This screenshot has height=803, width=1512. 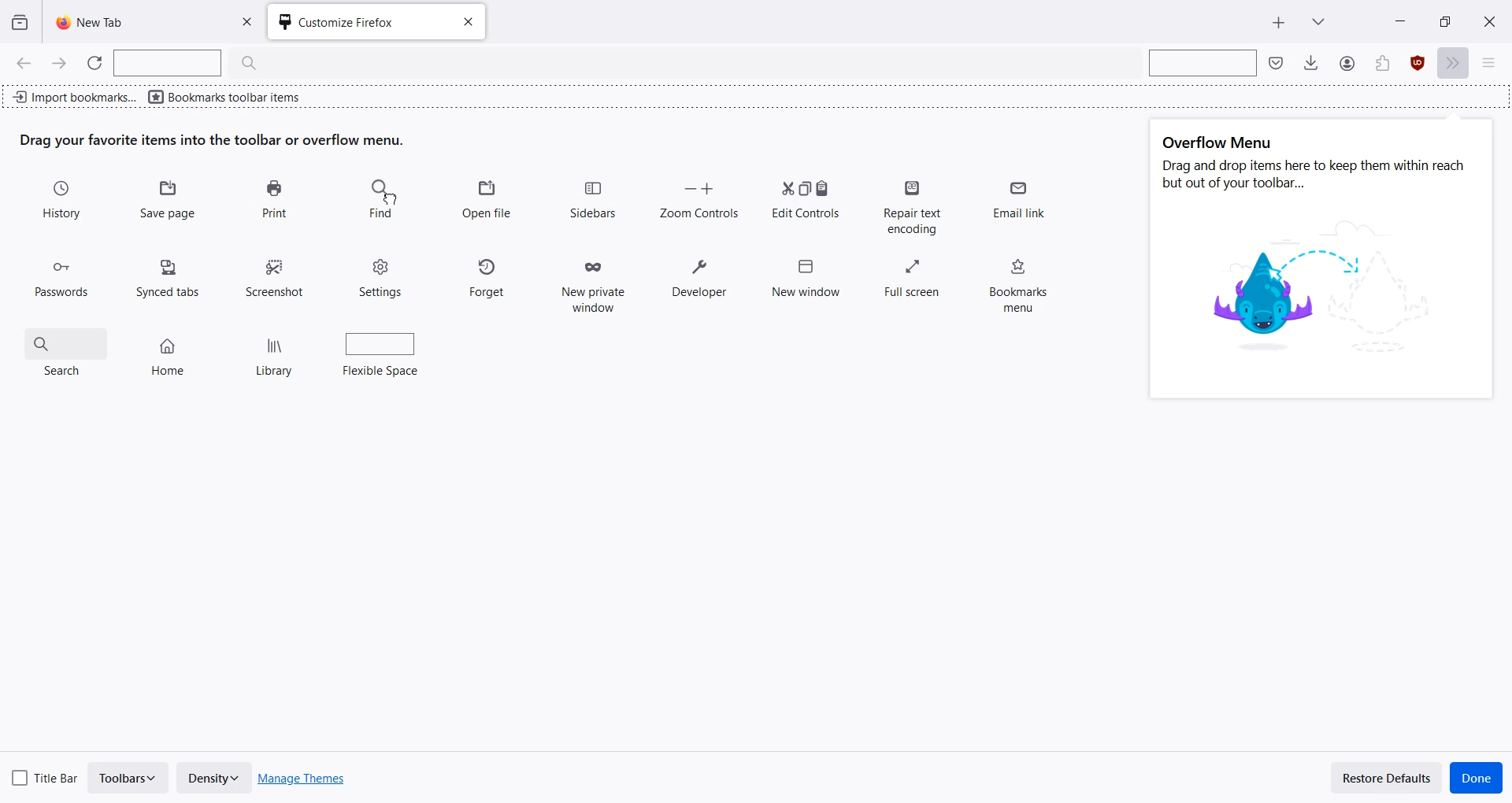 I want to click on Customize Firefox, so click(x=354, y=23).